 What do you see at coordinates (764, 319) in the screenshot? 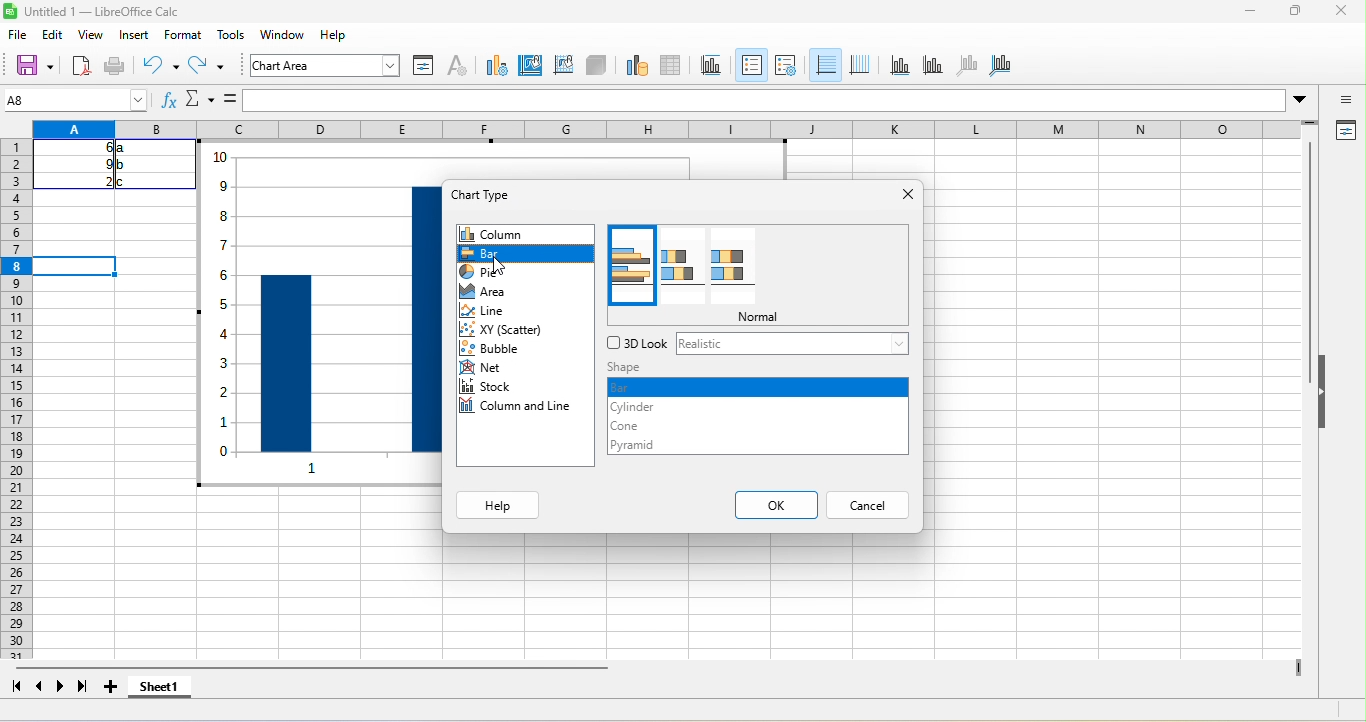
I see `normal` at bounding box center [764, 319].